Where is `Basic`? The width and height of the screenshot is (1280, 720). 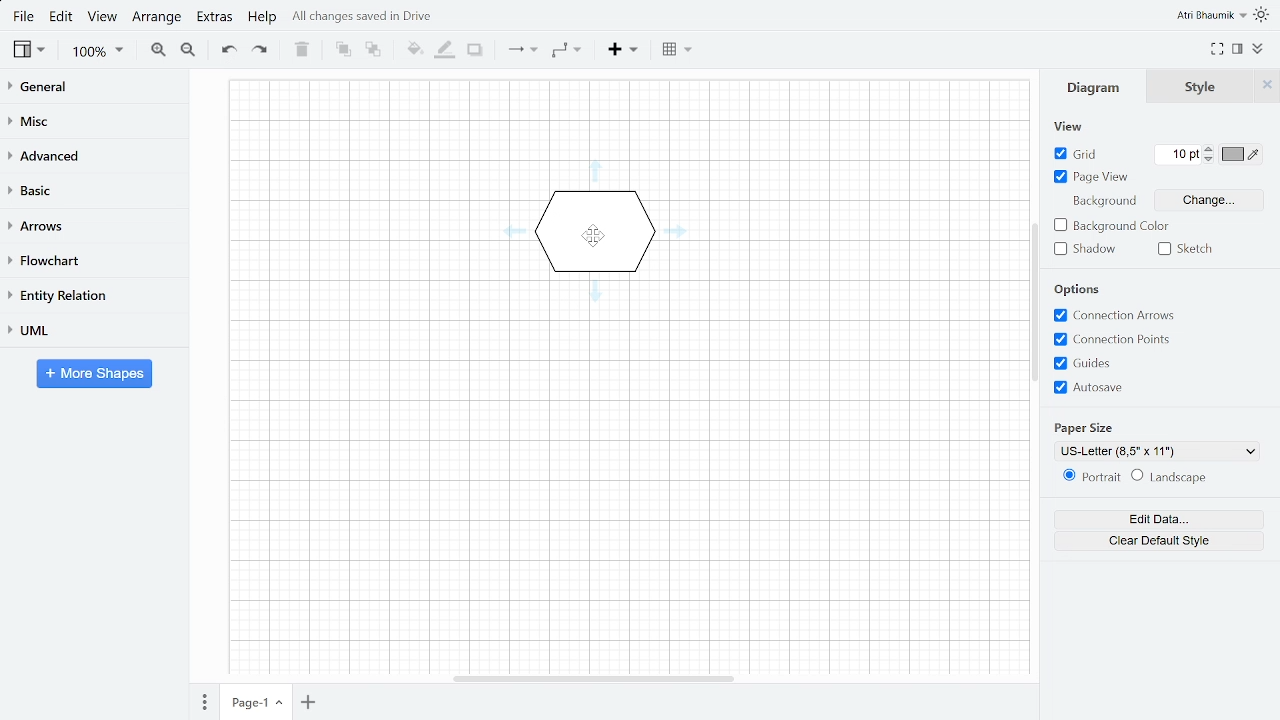 Basic is located at coordinates (93, 190).